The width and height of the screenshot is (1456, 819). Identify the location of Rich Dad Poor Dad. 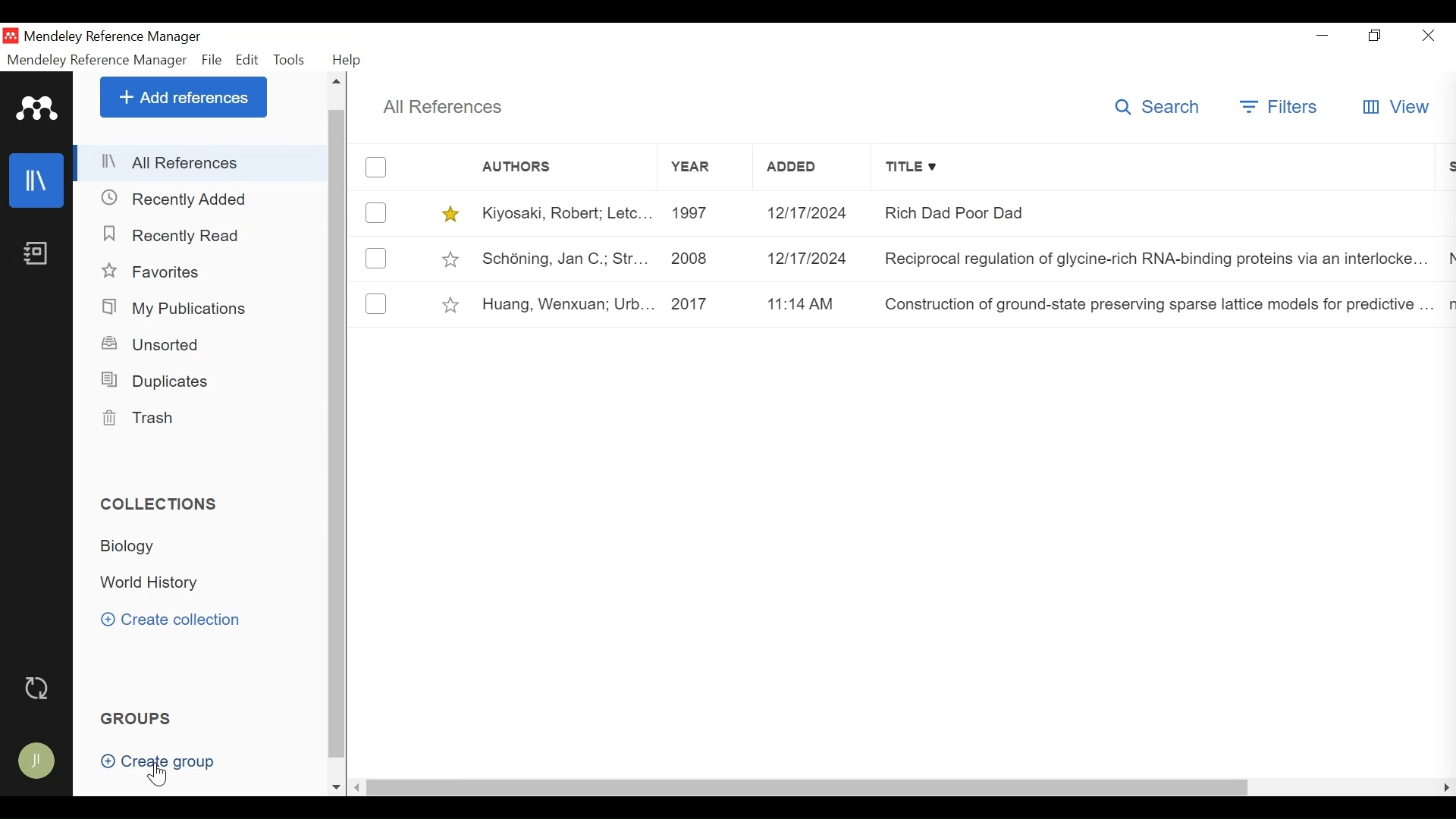
(1158, 212).